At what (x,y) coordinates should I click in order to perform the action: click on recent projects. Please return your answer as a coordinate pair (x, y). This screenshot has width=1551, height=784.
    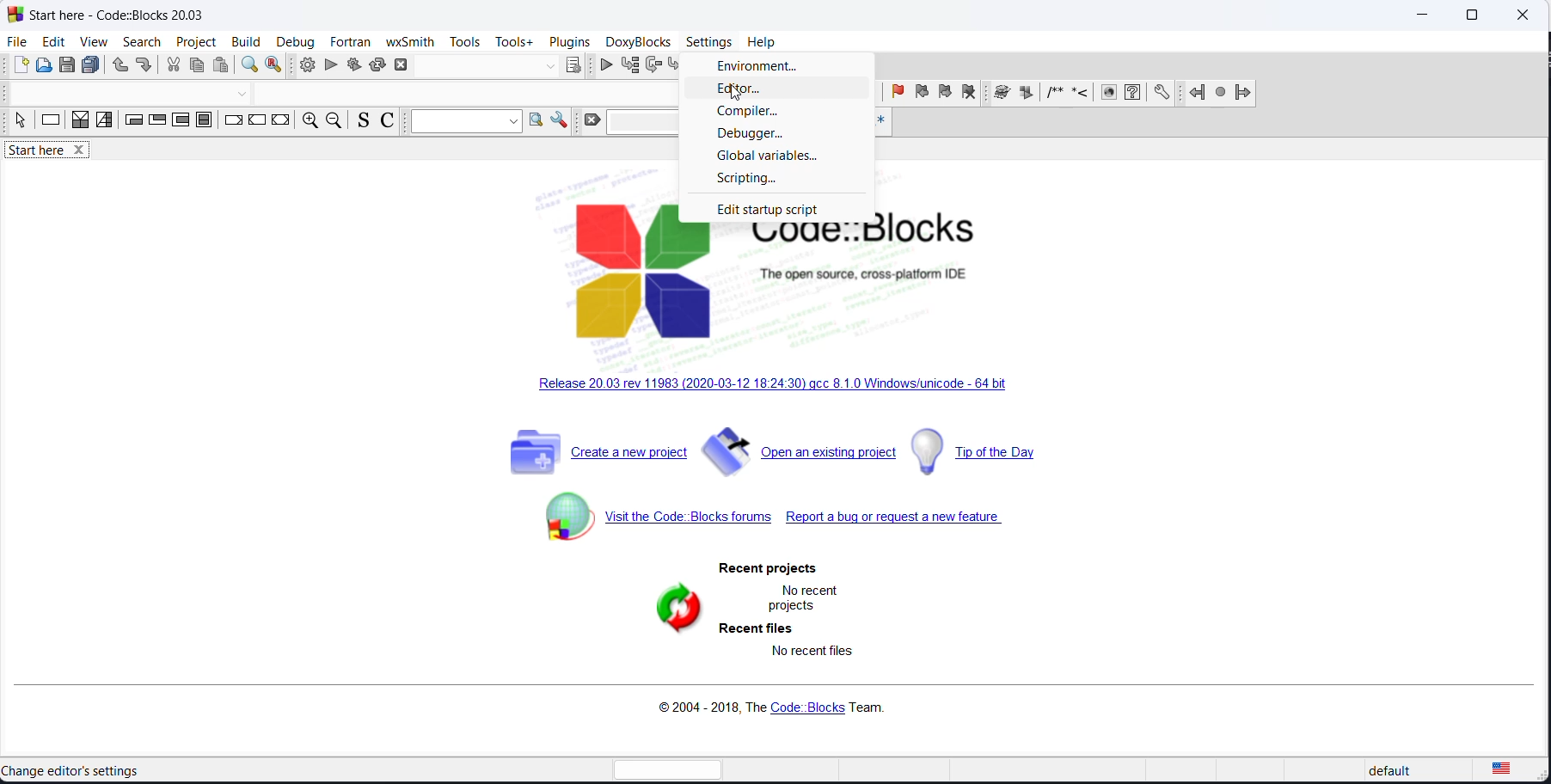
    Looking at the image, I should click on (758, 568).